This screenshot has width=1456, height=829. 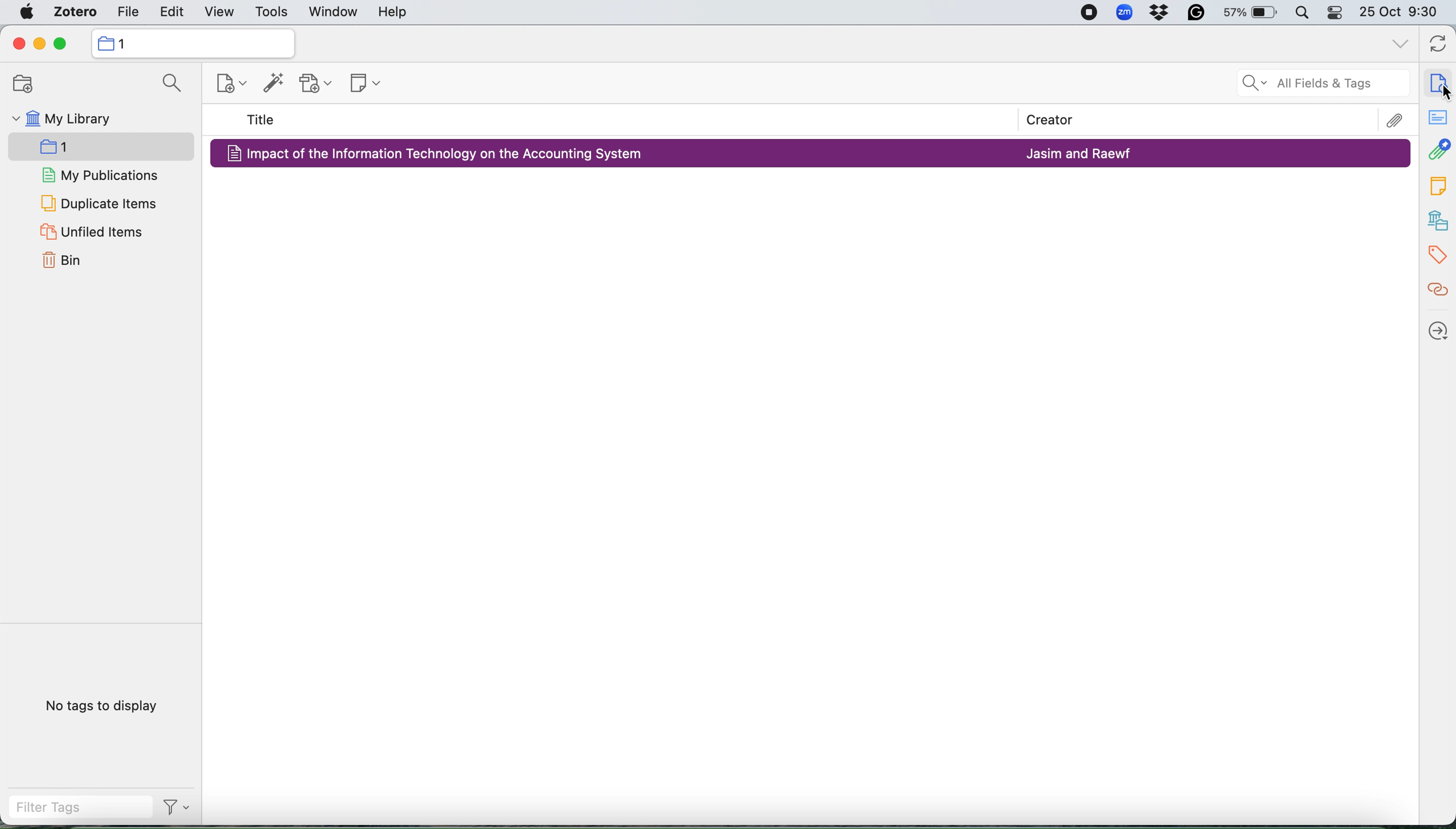 I want to click on attachments, so click(x=1395, y=118).